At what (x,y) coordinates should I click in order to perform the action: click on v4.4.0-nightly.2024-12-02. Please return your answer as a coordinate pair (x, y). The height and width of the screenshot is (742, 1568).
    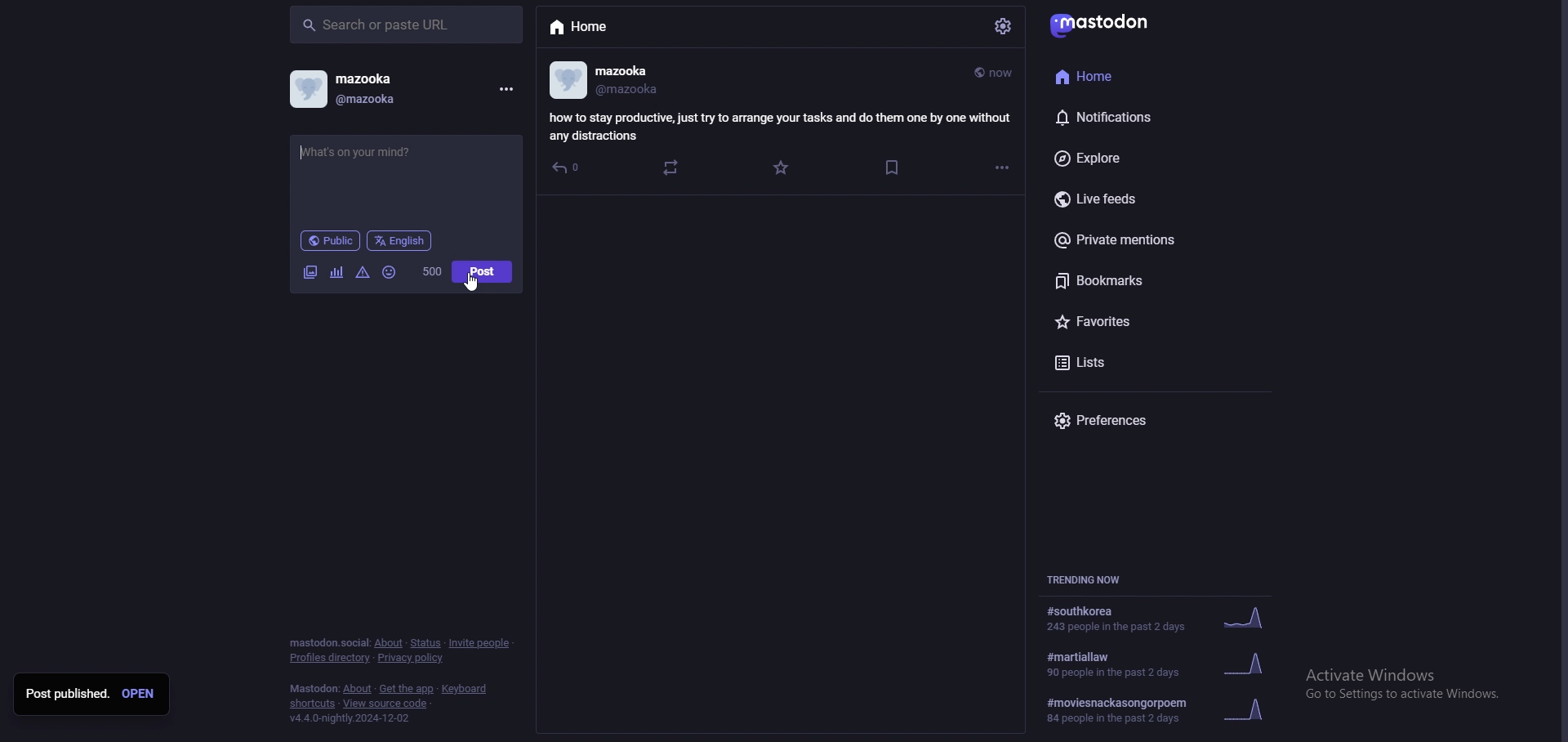
    Looking at the image, I should click on (348, 719).